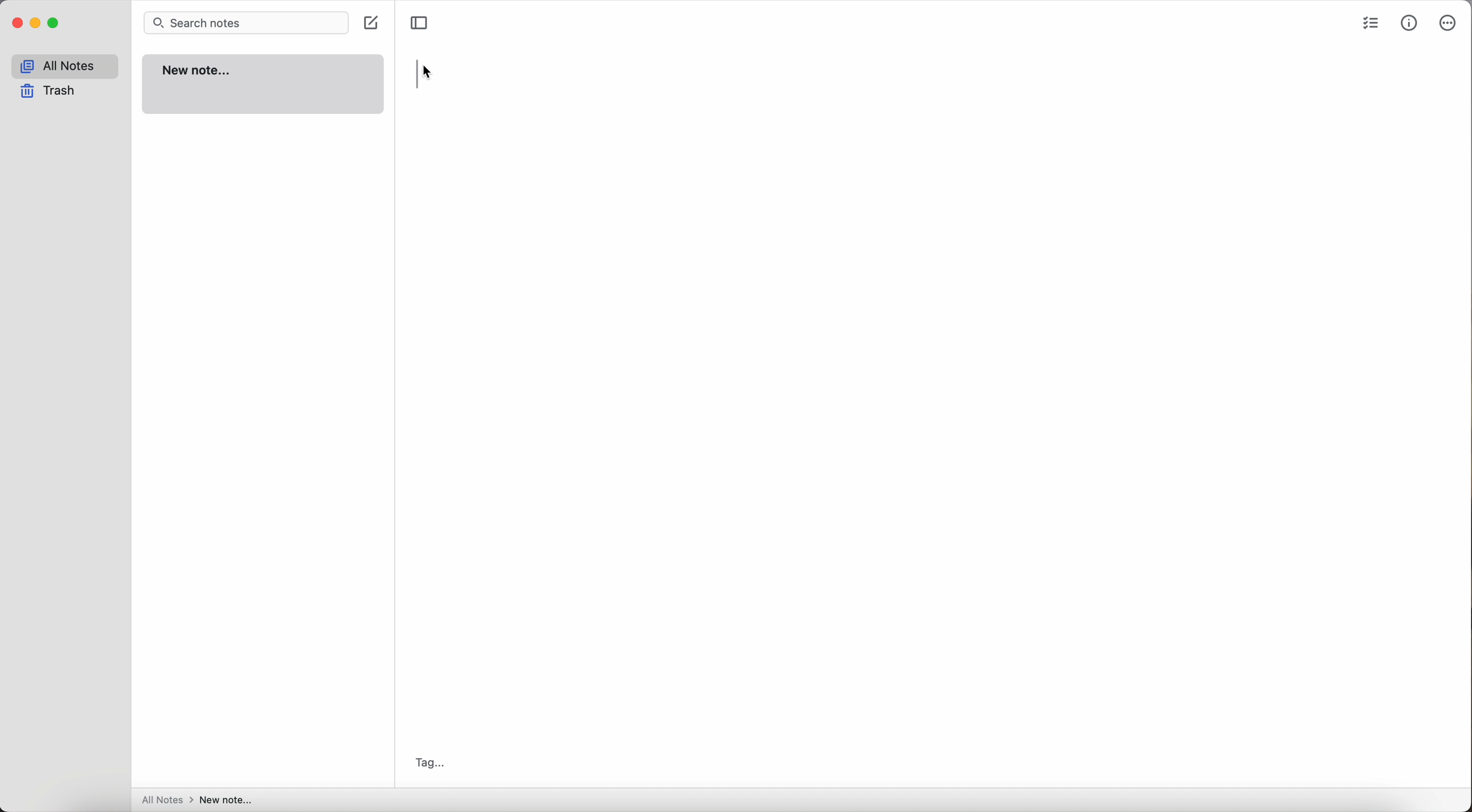 This screenshot has width=1472, height=812. Describe the element at coordinates (245, 23) in the screenshot. I see `search bar` at that location.